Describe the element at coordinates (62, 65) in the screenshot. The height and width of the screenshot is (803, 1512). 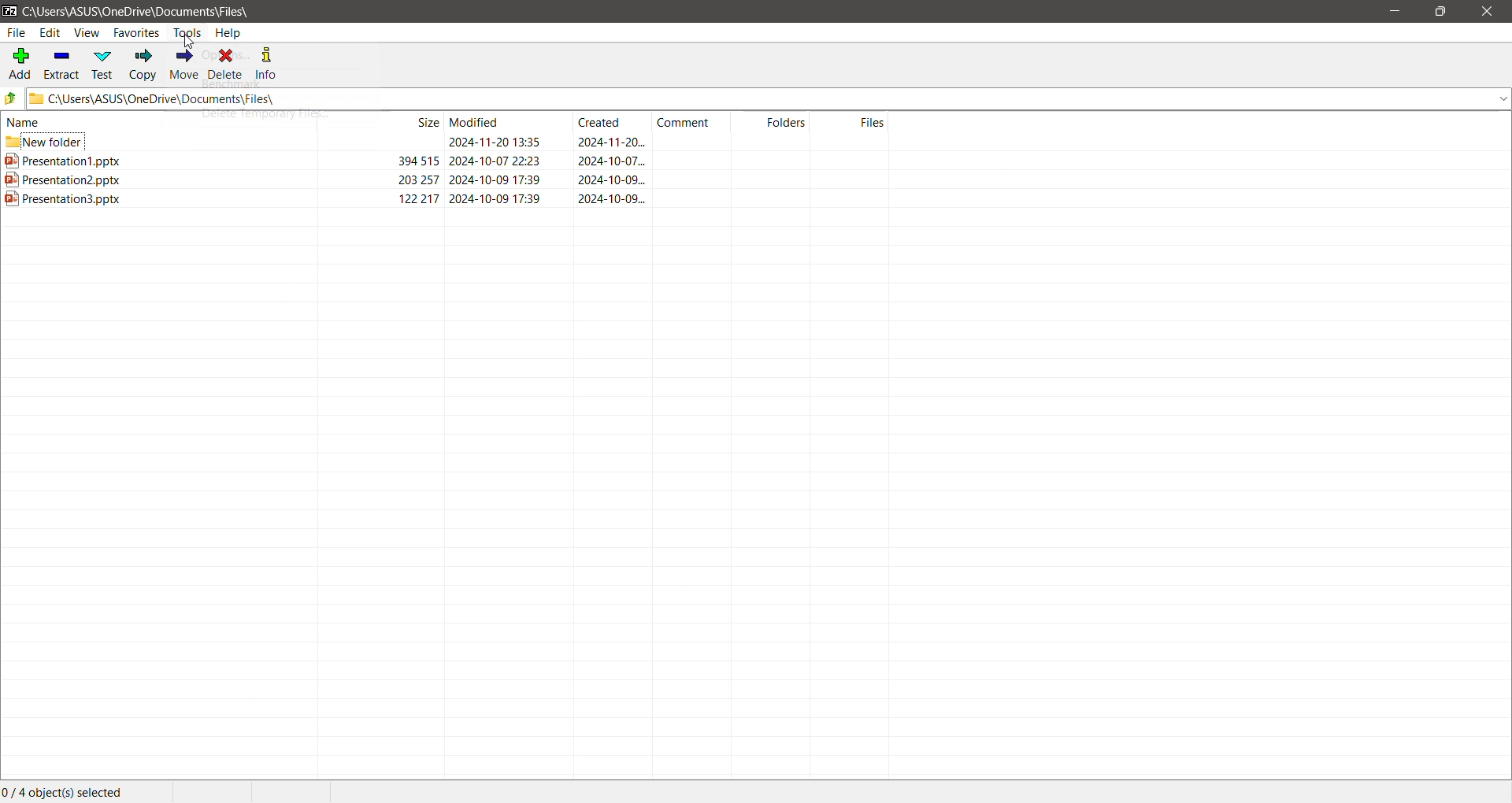
I see `Extract` at that location.